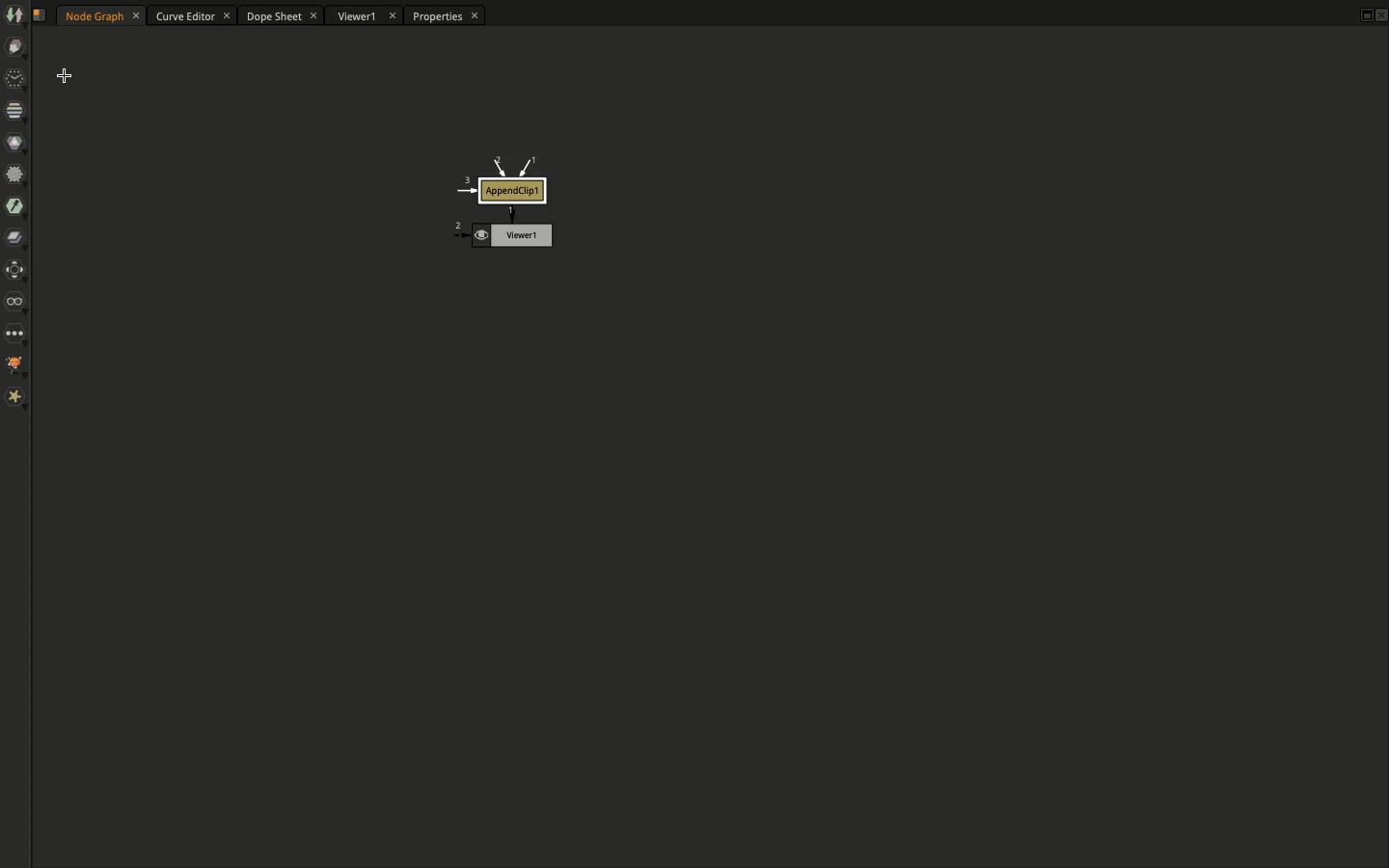 This screenshot has width=1389, height=868. What do you see at coordinates (16, 49) in the screenshot?
I see `Draw` at bounding box center [16, 49].